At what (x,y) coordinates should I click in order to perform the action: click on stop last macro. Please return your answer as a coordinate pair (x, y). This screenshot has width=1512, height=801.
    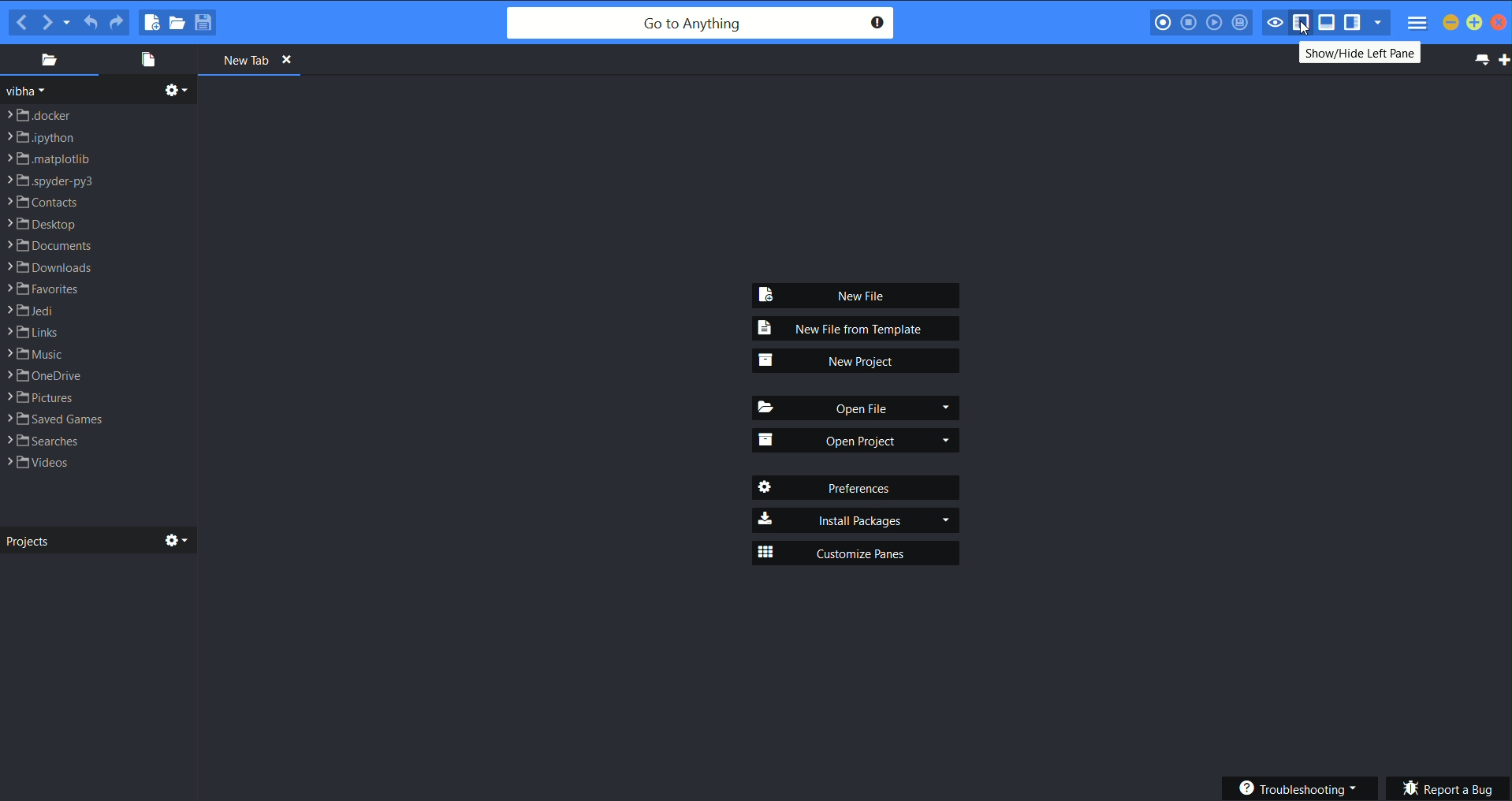
    Looking at the image, I should click on (1190, 22).